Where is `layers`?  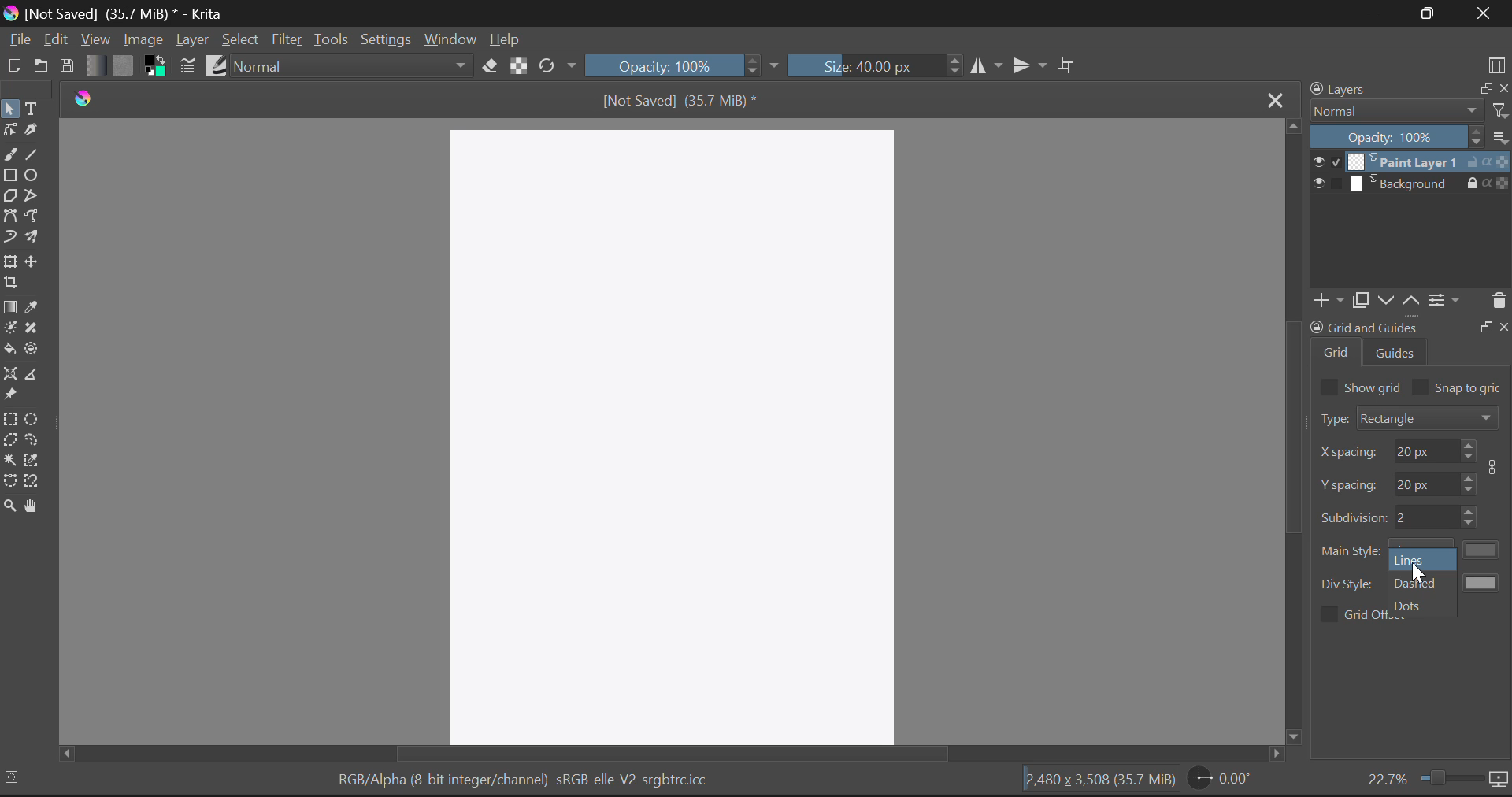 layers is located at coordinates (1341, 89).